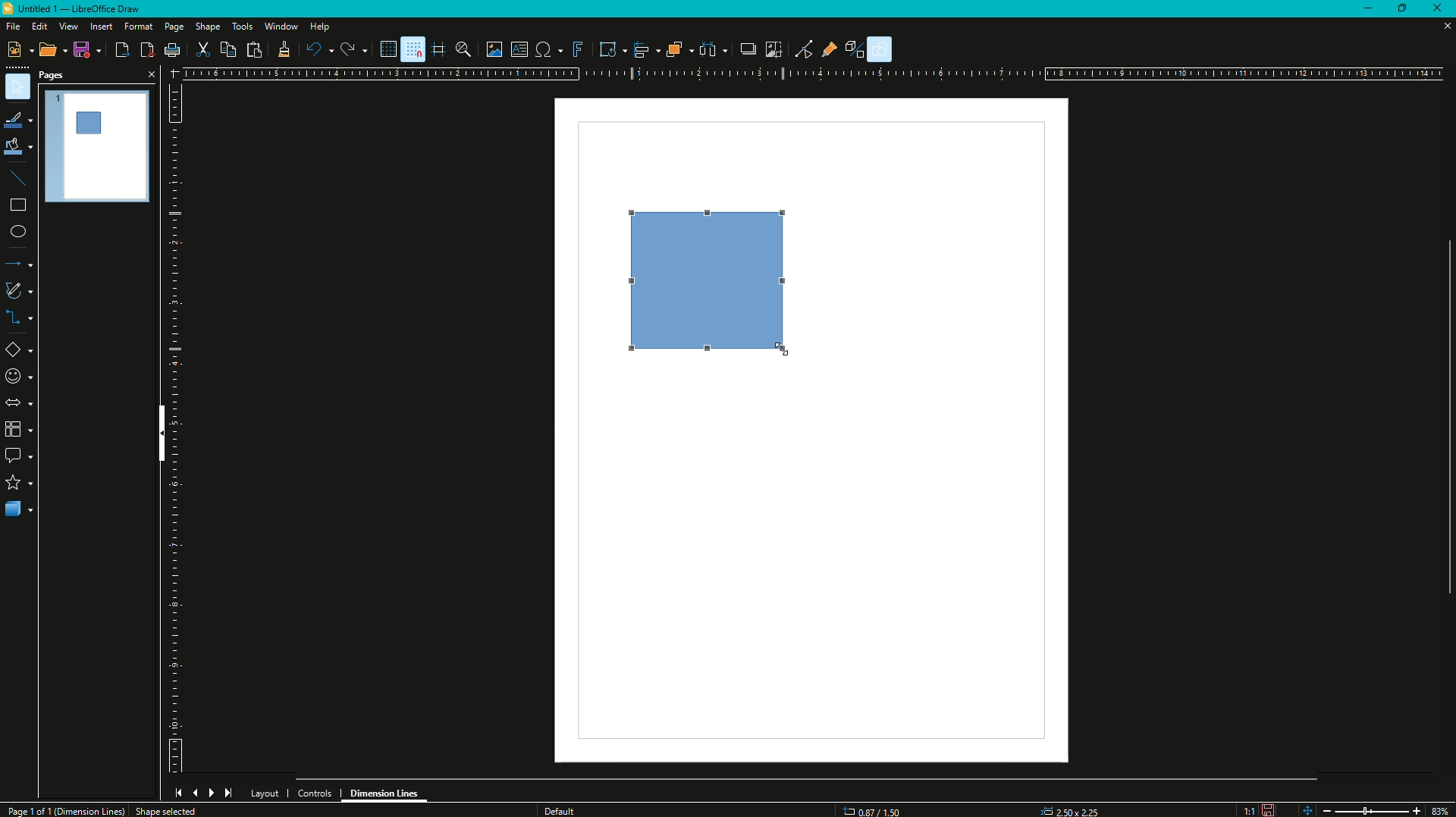 The height and width of the screenshot is (817, 1456). Describe the element at coordinates (20, 457) in the screenshot. I see `Text Bubbles` at that location.